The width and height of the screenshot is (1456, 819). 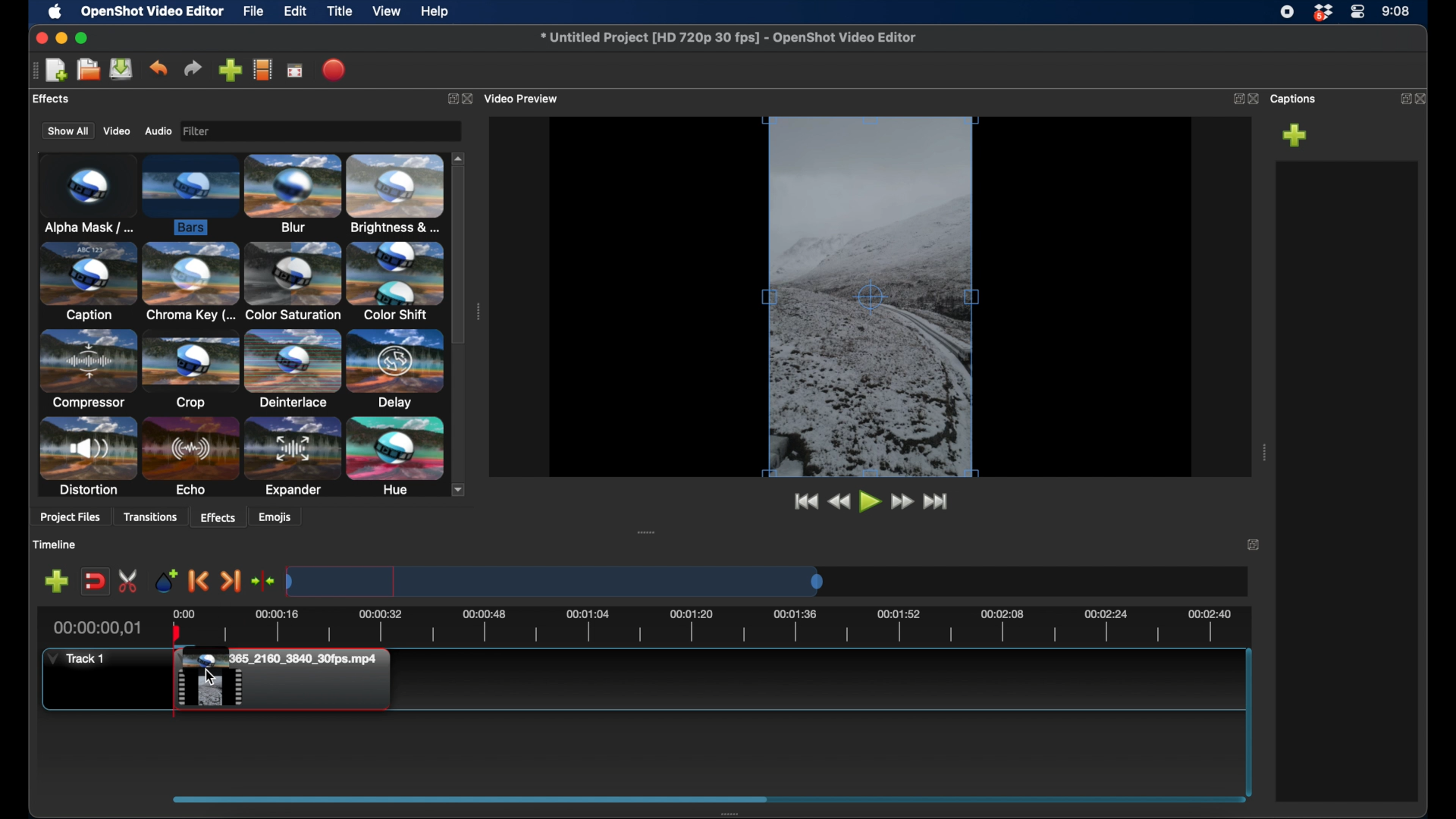 I want to click on project files, so click(x=66, y=99).